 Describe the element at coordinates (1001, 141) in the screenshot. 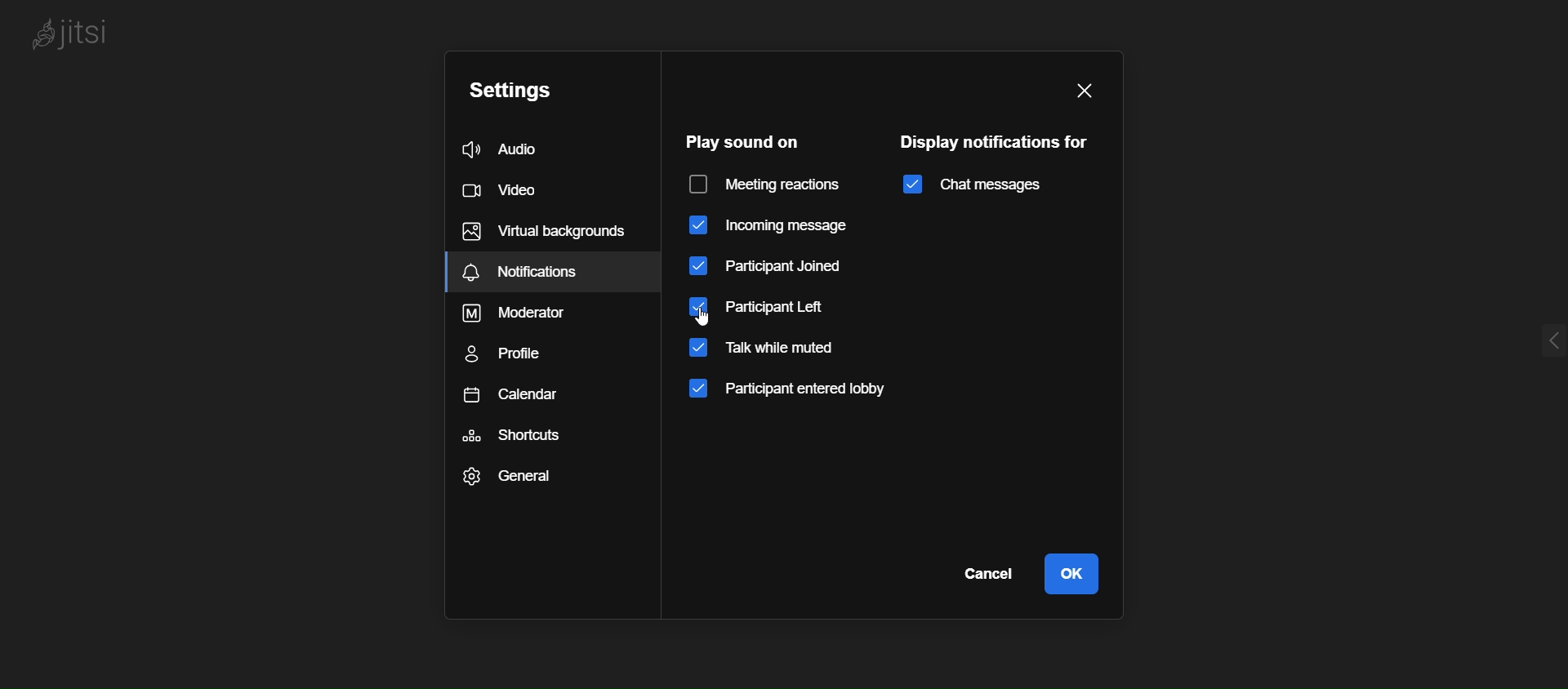

I see `display notification for` at that location.